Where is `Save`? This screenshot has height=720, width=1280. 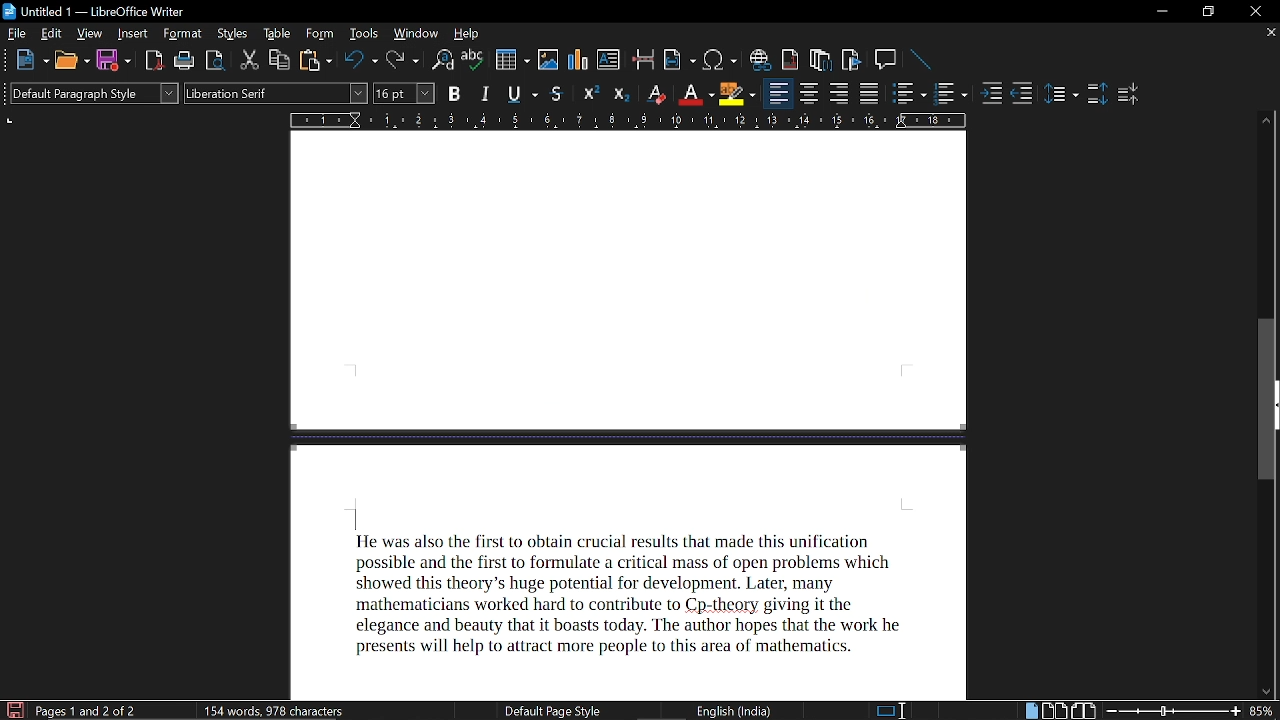 Save is located at coordinates (13, 709).